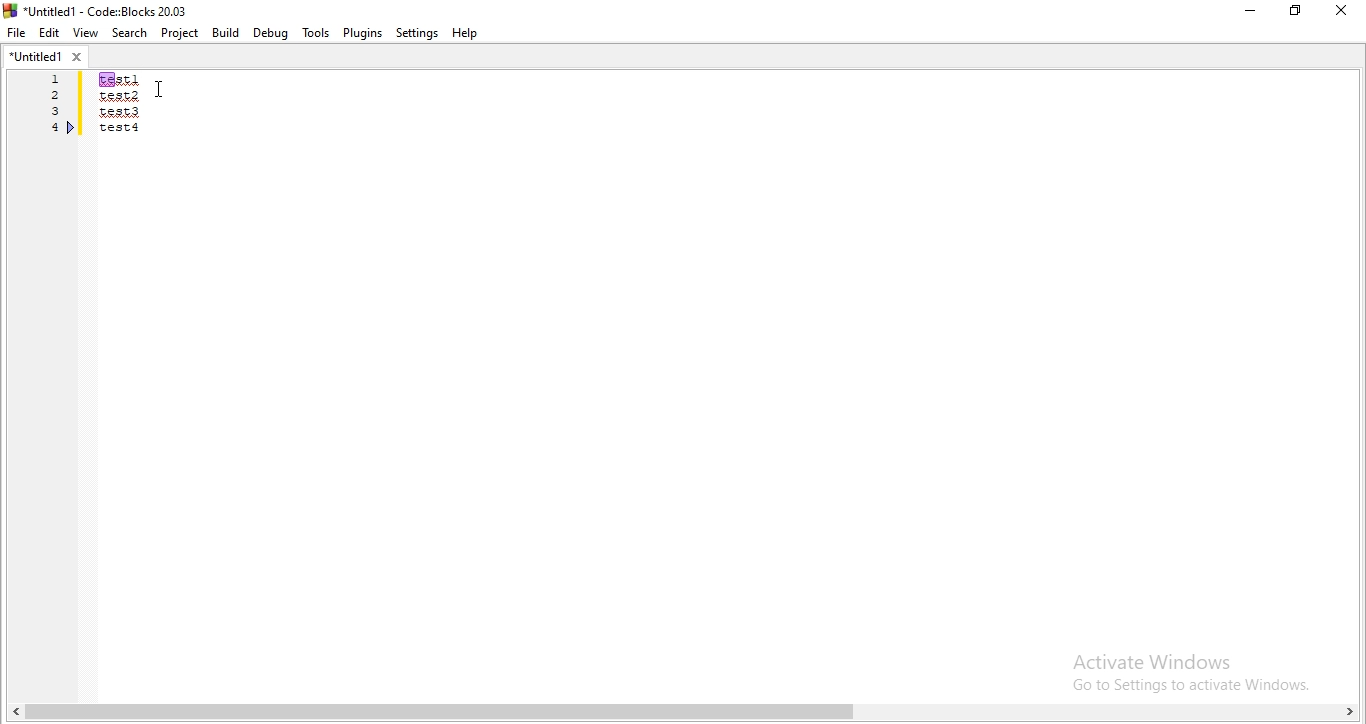 This screenshot has width=1366, height=724. I want to click on Tools , so click(315, 33).